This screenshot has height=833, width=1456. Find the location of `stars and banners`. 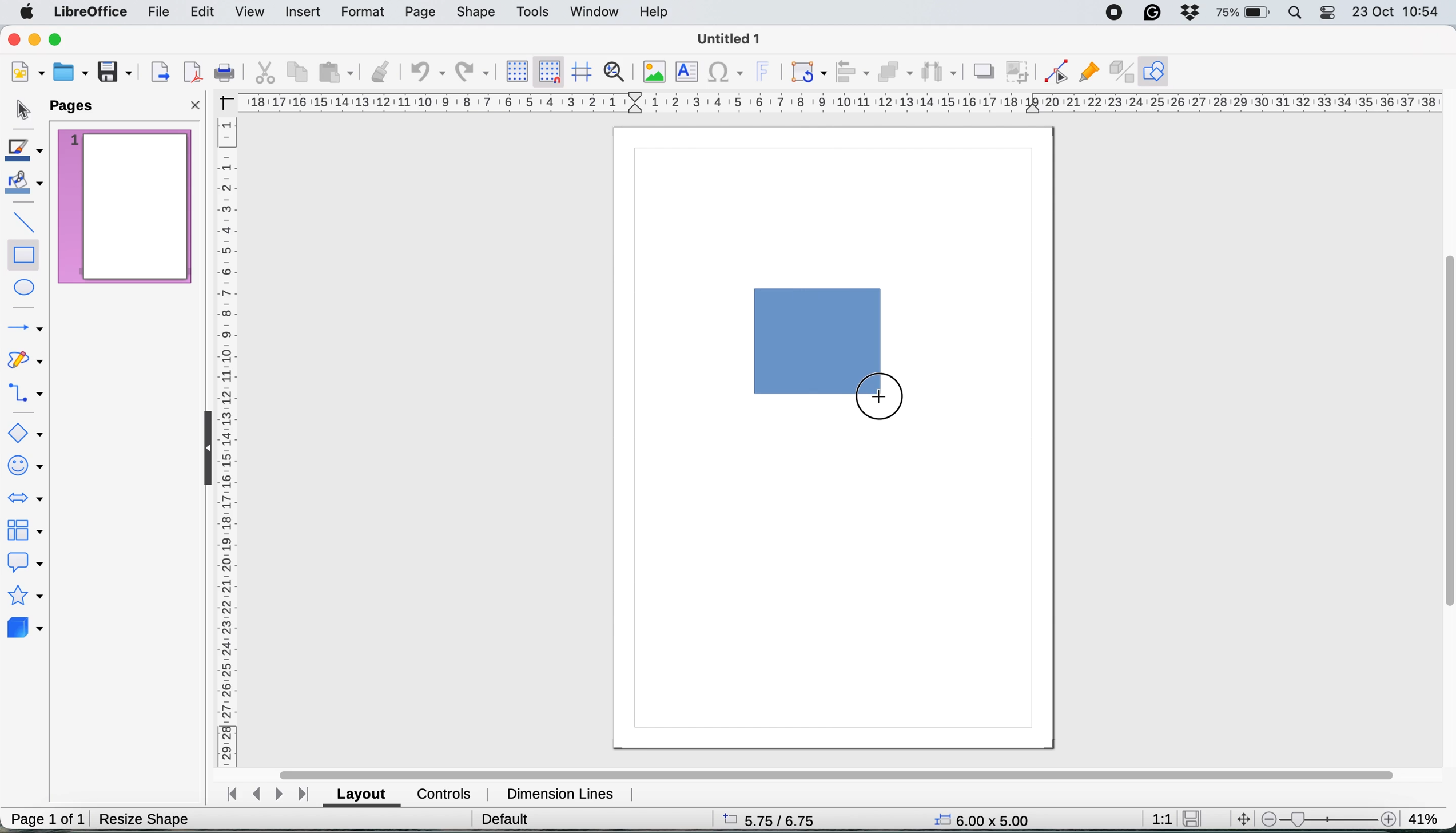

stars and banners is located at coordinates (25, 597).